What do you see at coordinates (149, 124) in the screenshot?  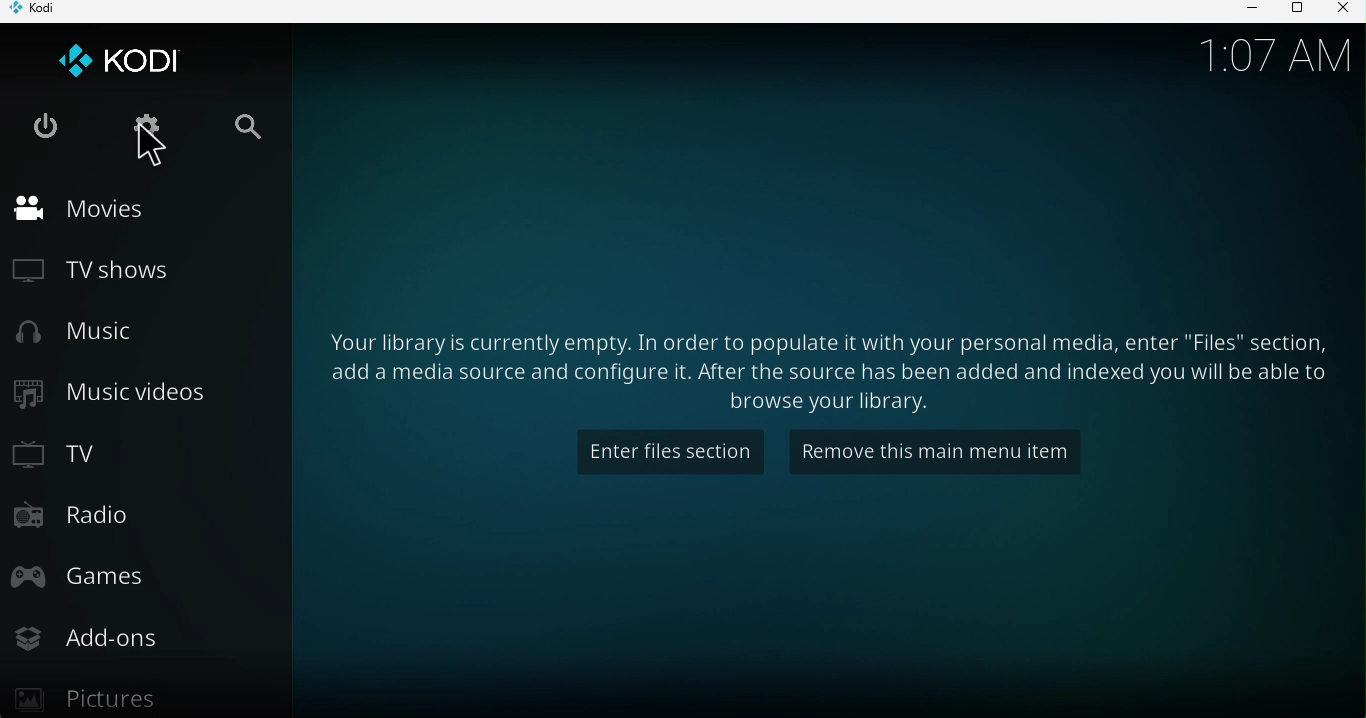 I see `Settings` at bounding box center [149, 124].